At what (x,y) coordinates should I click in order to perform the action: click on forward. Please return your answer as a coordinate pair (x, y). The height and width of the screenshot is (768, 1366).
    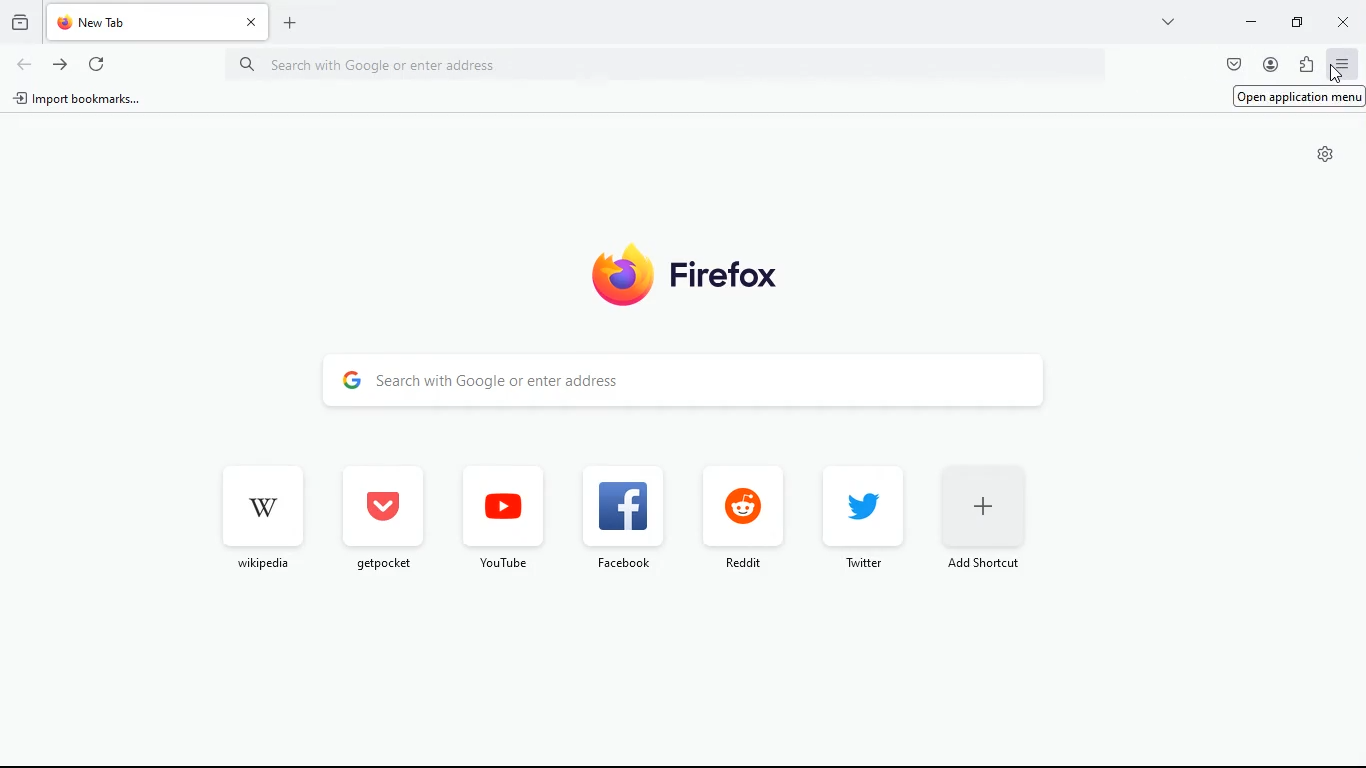
    Looking at the image, I should click on (61, 66).